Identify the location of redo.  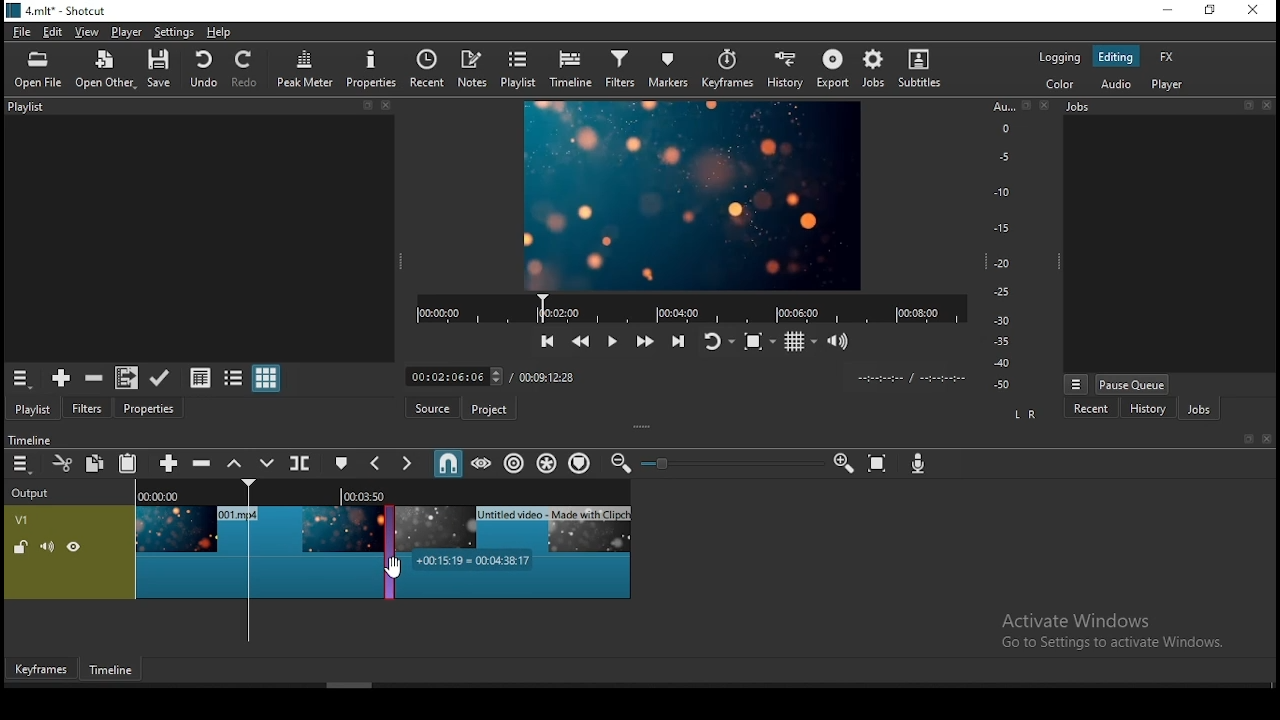
(247, 69).